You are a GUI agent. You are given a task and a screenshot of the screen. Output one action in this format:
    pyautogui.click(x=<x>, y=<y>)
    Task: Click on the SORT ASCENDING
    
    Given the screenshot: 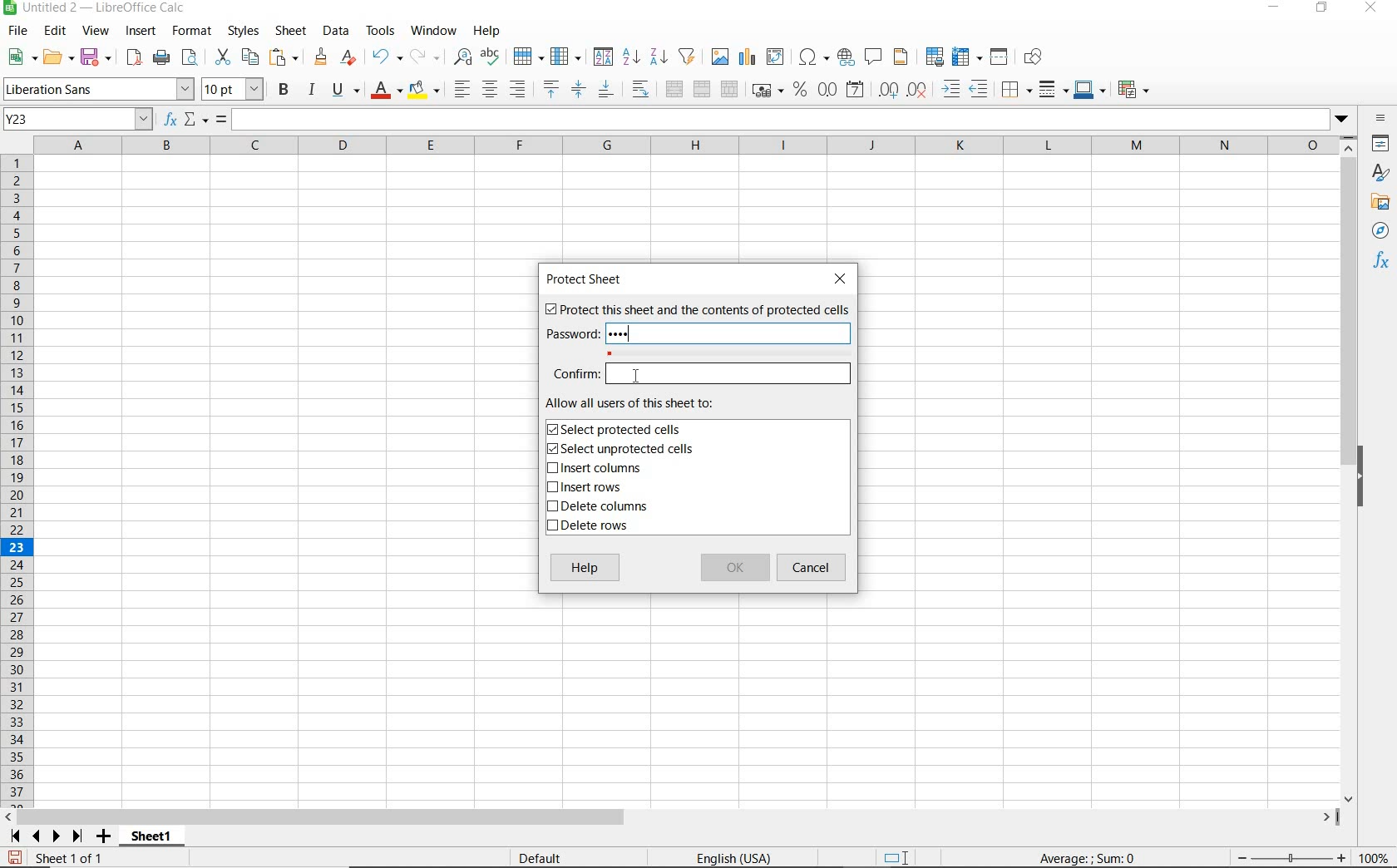 What is the action you would take?
    pyautogui.click(x=632, y=57)
    